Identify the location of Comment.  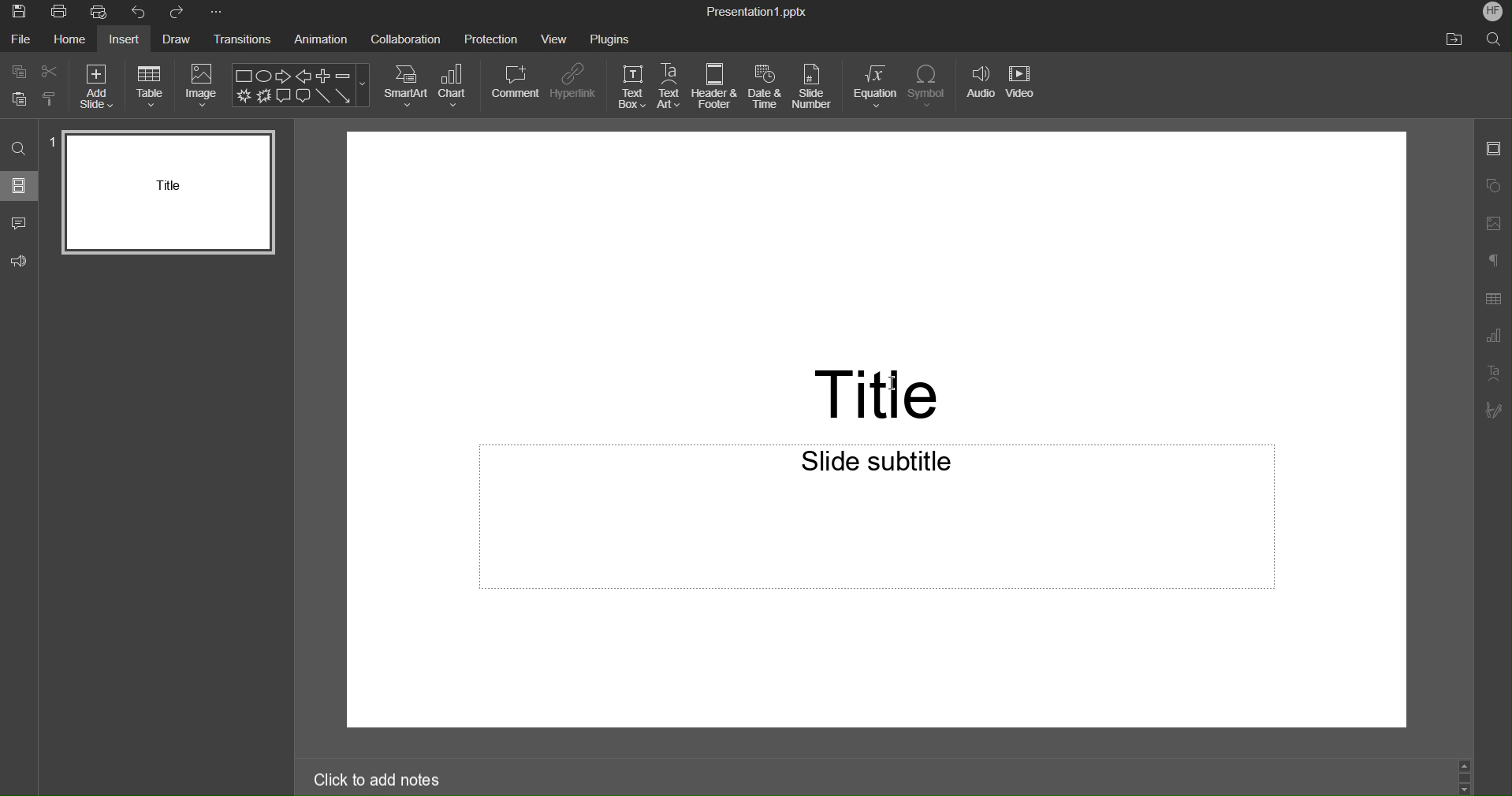
(515, 84).